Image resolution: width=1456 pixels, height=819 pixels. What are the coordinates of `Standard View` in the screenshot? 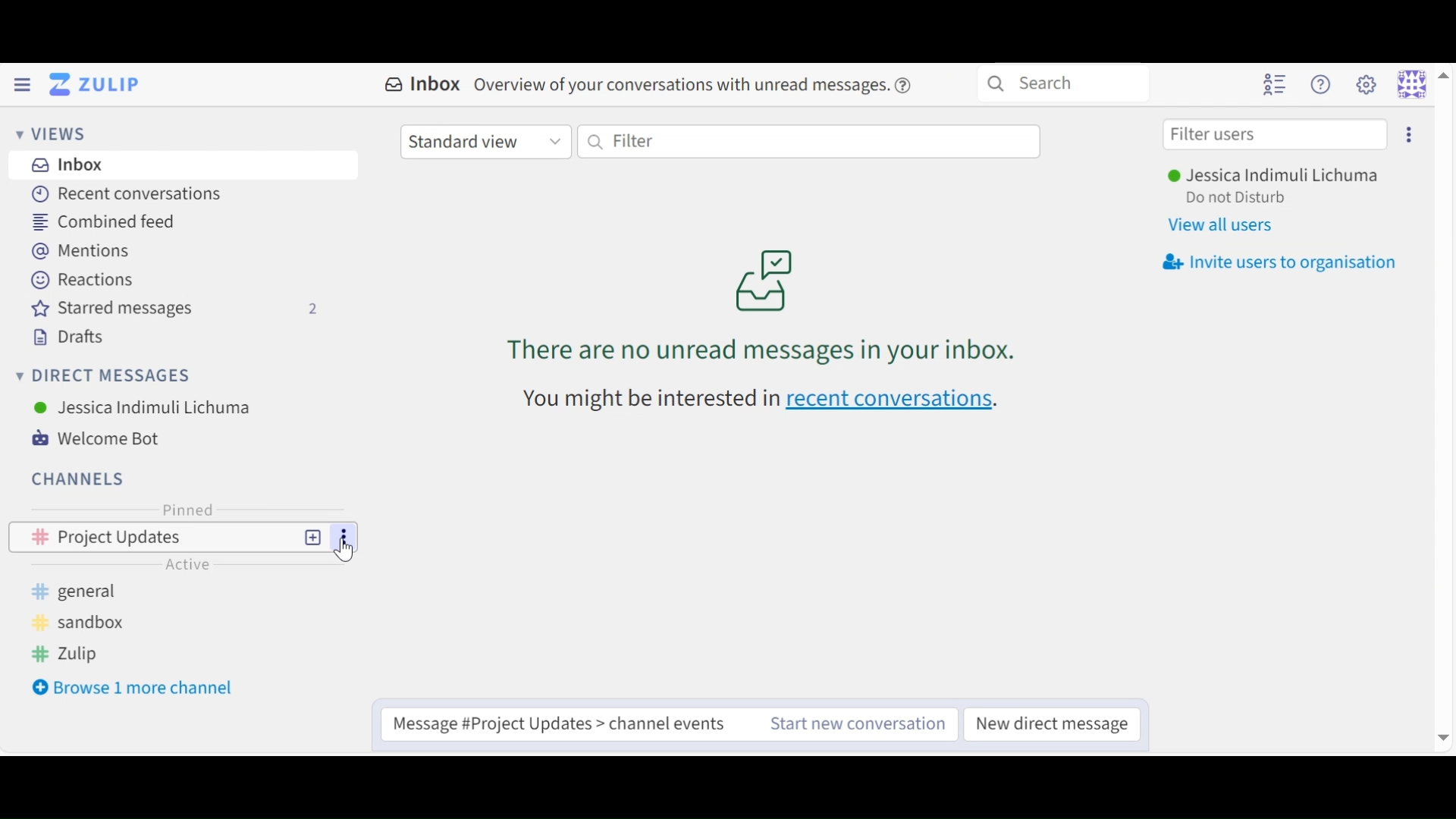 It's located at (485, 140).